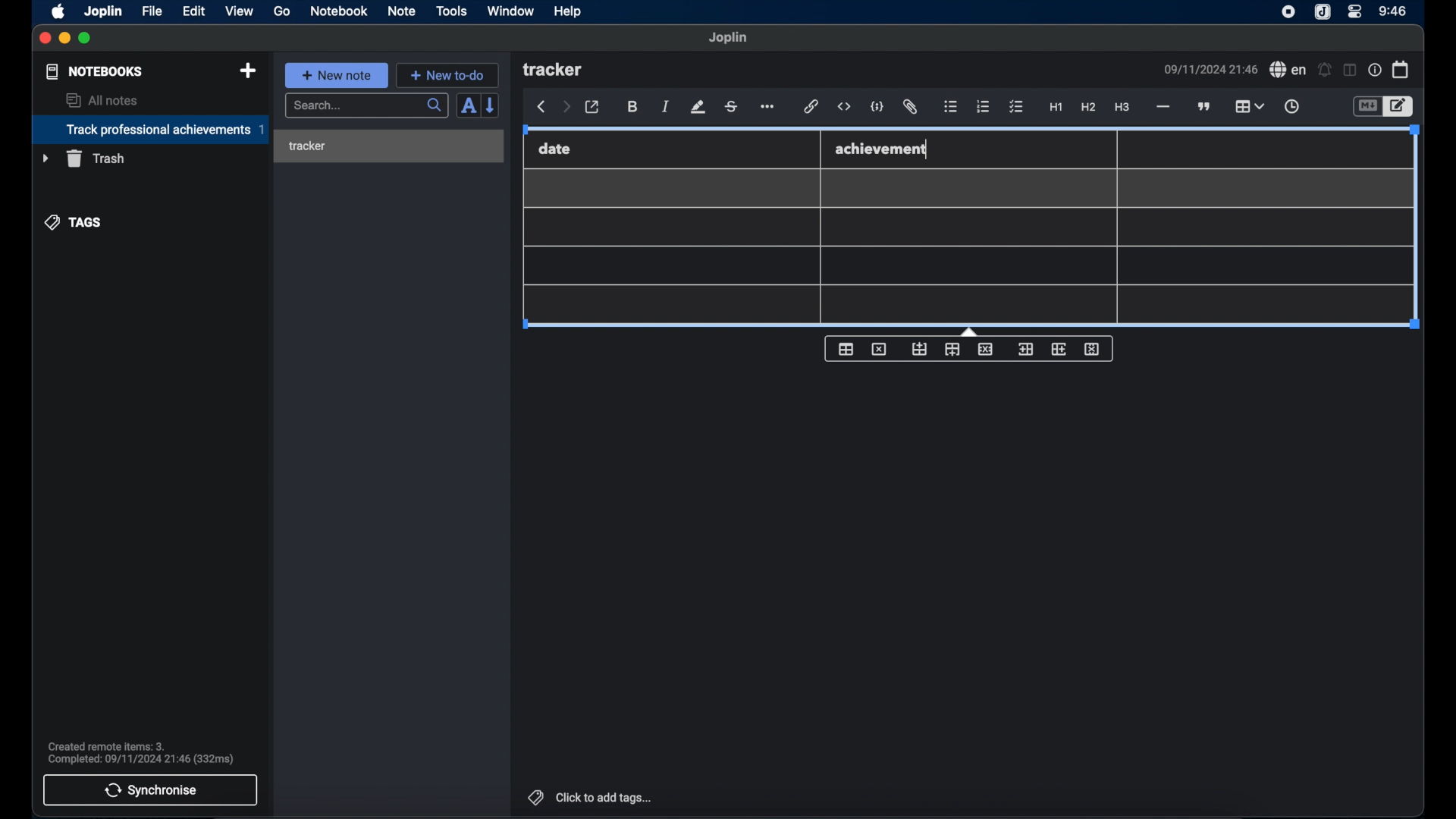  I want to click on horizontal line, so click(1163, 107).